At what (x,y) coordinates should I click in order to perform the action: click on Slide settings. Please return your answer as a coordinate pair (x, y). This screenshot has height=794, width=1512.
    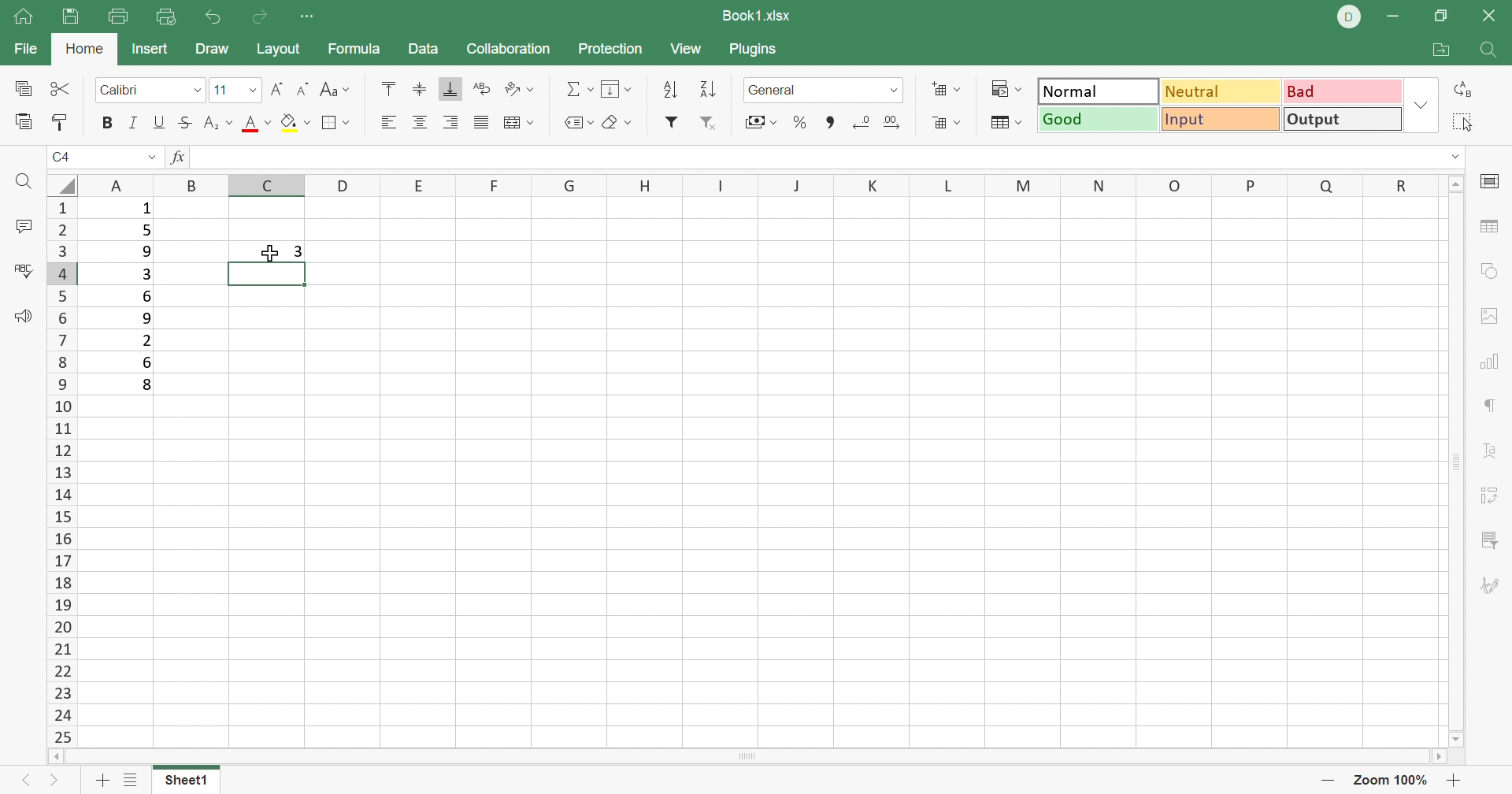
    Looking at the image, I should click on (1492, 180).